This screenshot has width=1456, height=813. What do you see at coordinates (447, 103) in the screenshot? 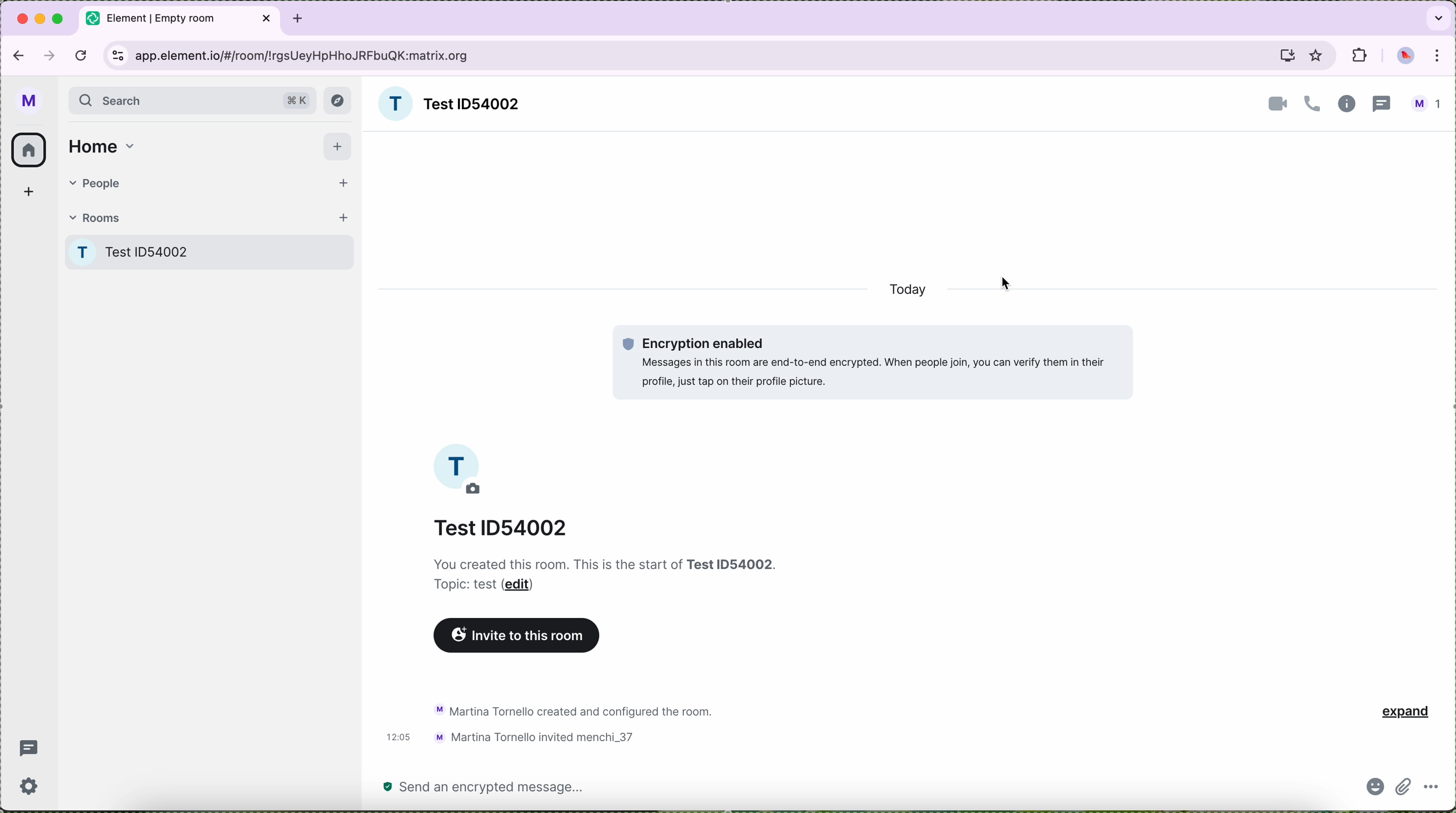
I see `room name` at bounding box center [447, 103].